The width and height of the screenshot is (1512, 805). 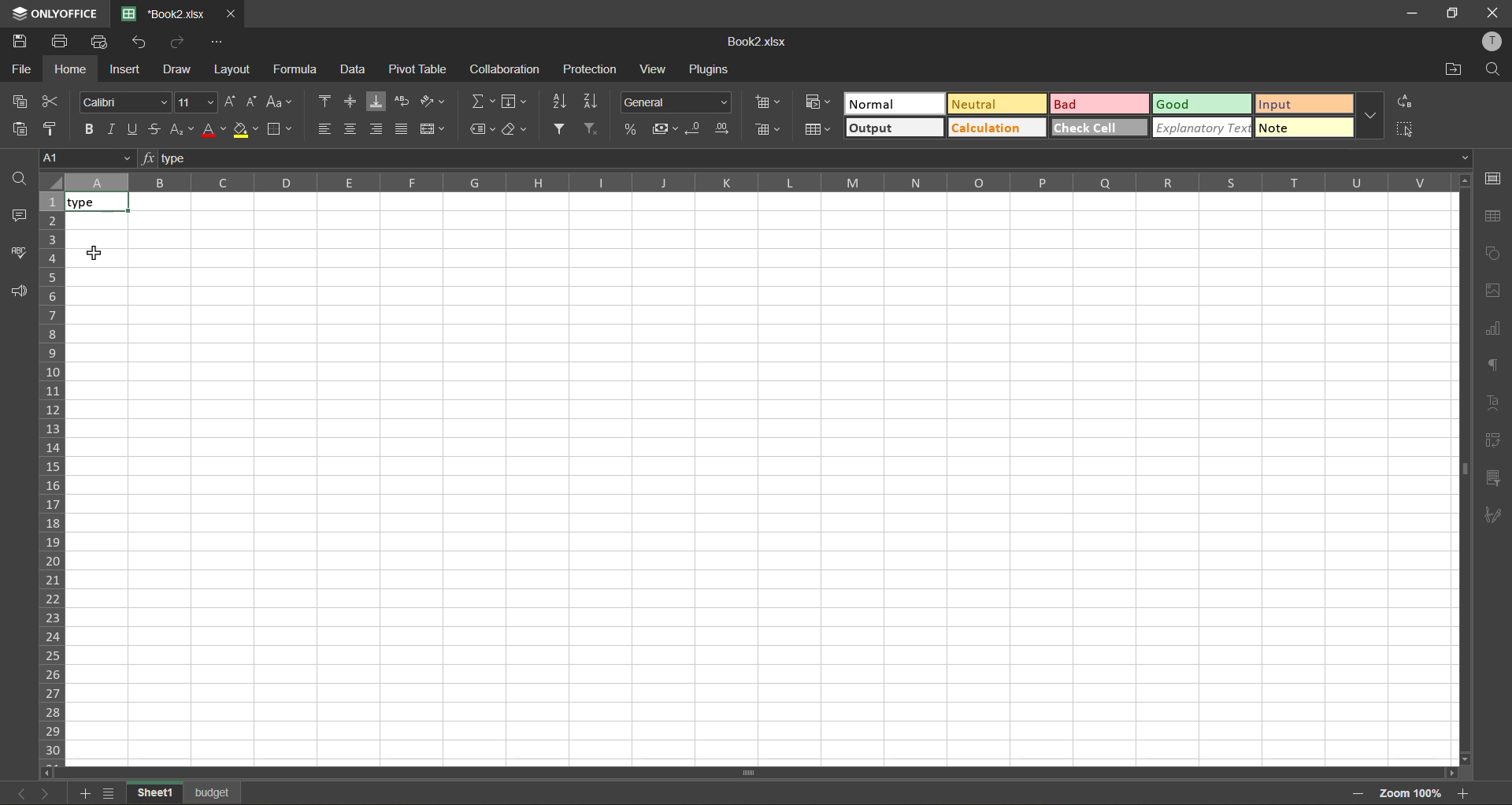 I want to click on sort descending, so click(x=594, y=100).